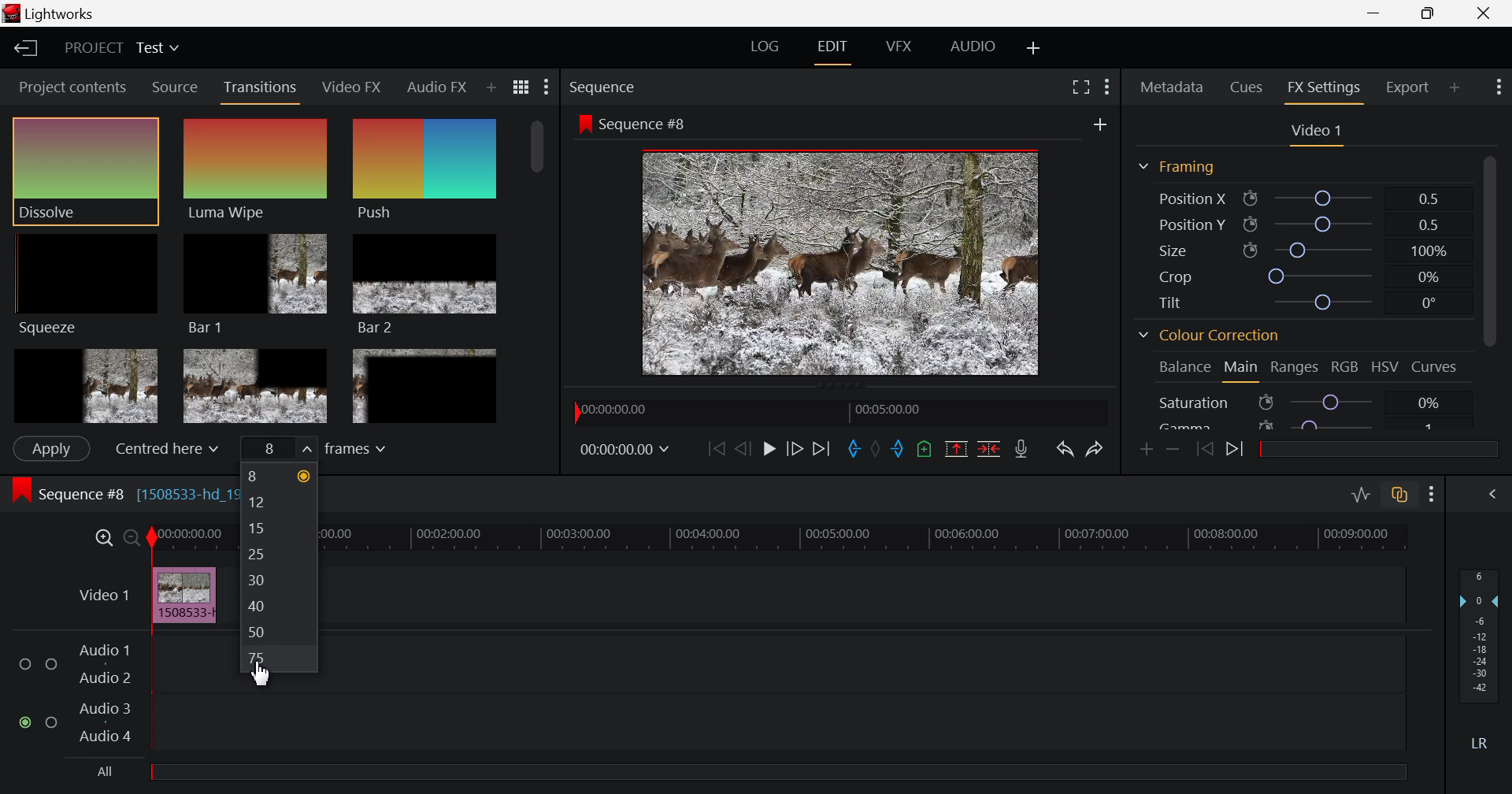 This screenshot has width=1512, height=794. I want to click on Remove marked section, so click(956, 450).